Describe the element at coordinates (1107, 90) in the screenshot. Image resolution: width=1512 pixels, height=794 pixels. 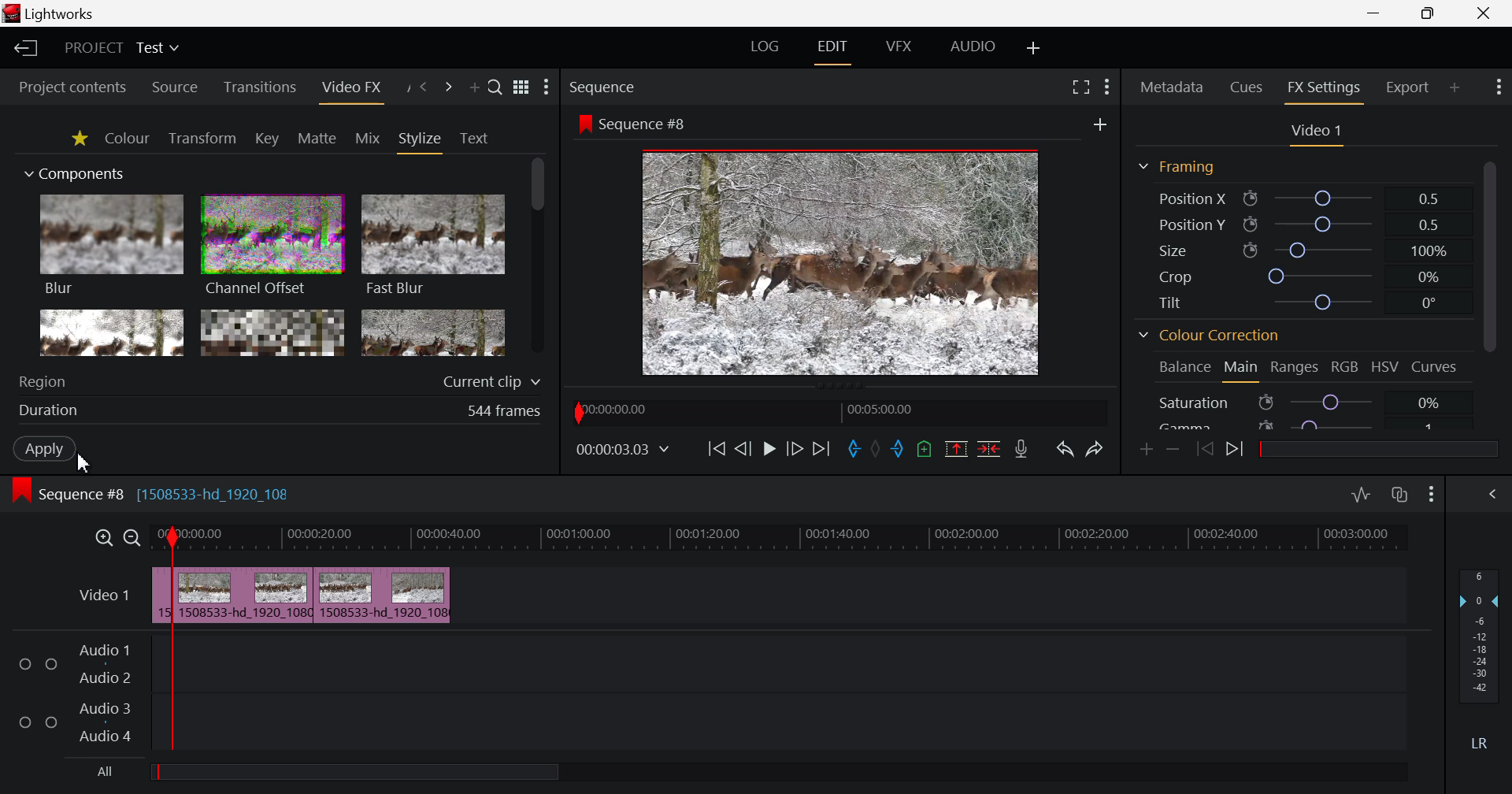
I see `Show Settings` at that location.